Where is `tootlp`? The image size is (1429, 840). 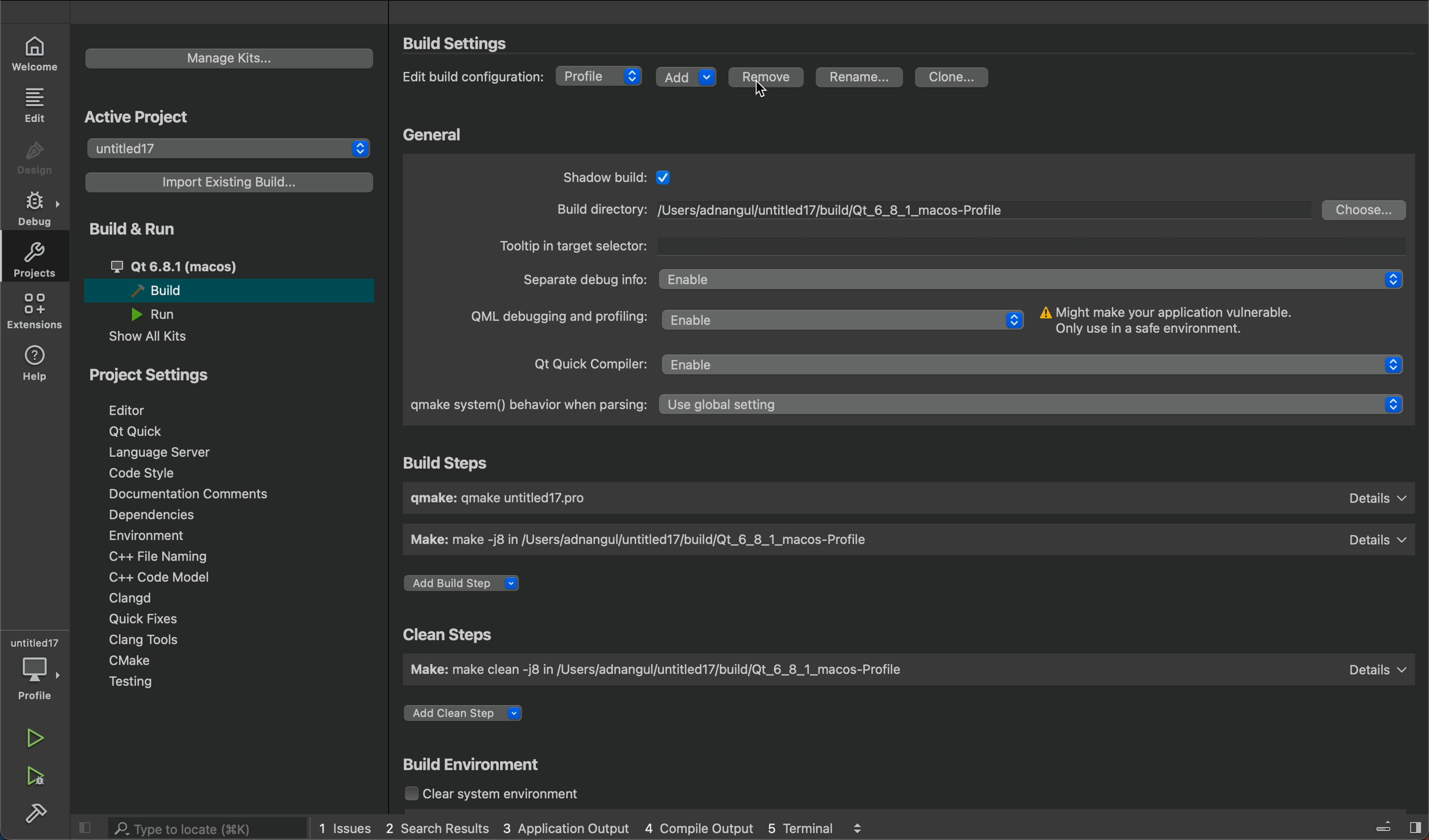
tootlp is located at coordinates (574, 246).